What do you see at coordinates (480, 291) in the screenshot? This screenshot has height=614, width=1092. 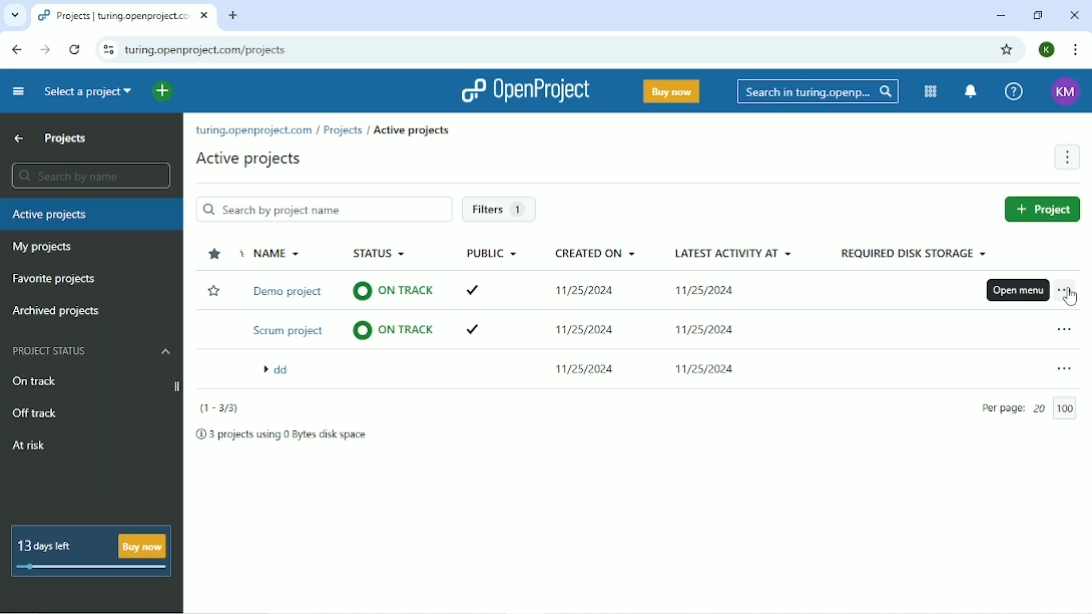 I see `ticked` at bounding box center [480, 291].